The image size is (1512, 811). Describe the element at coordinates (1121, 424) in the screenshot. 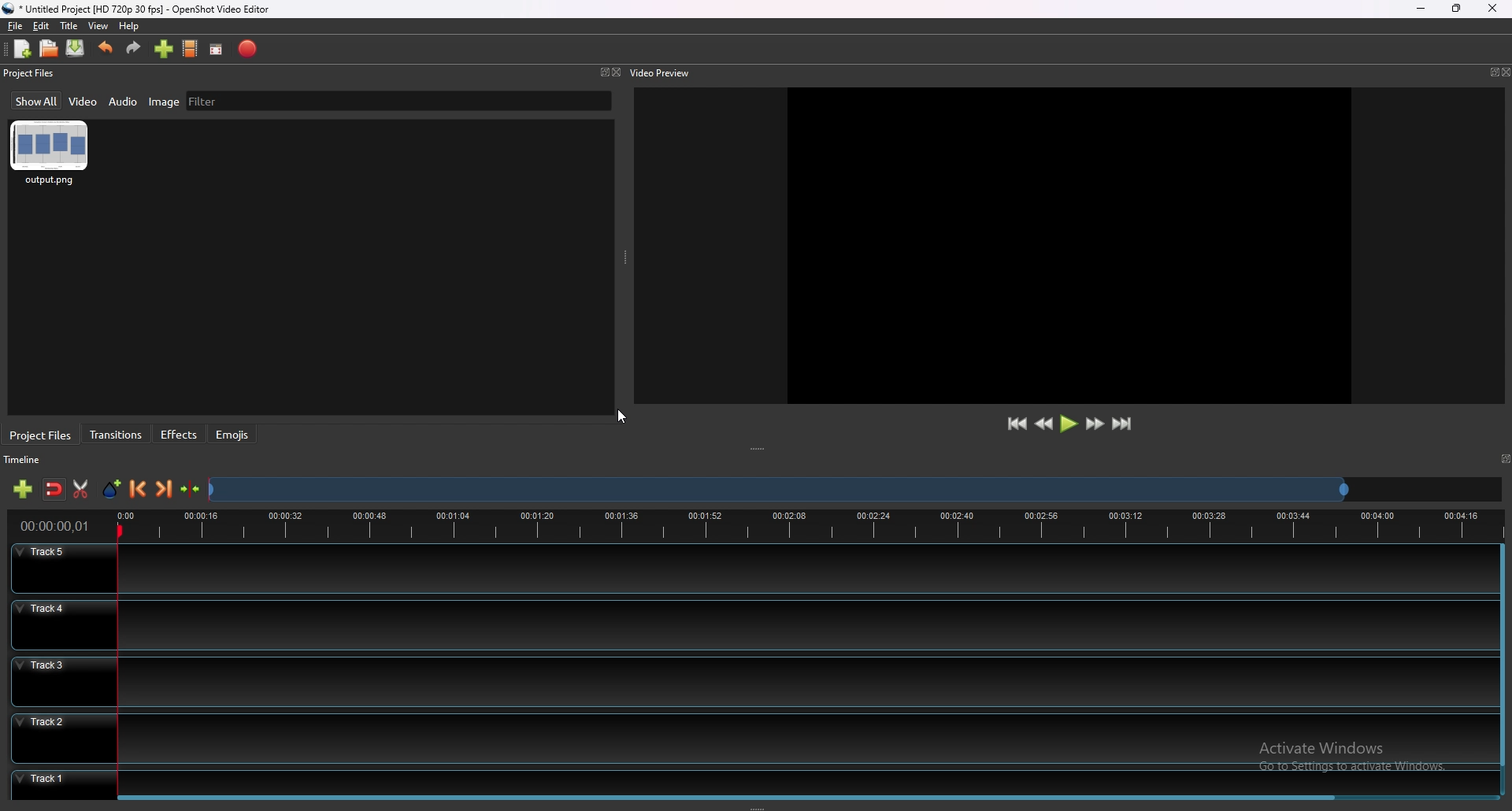

I see `jump to end` at that location.